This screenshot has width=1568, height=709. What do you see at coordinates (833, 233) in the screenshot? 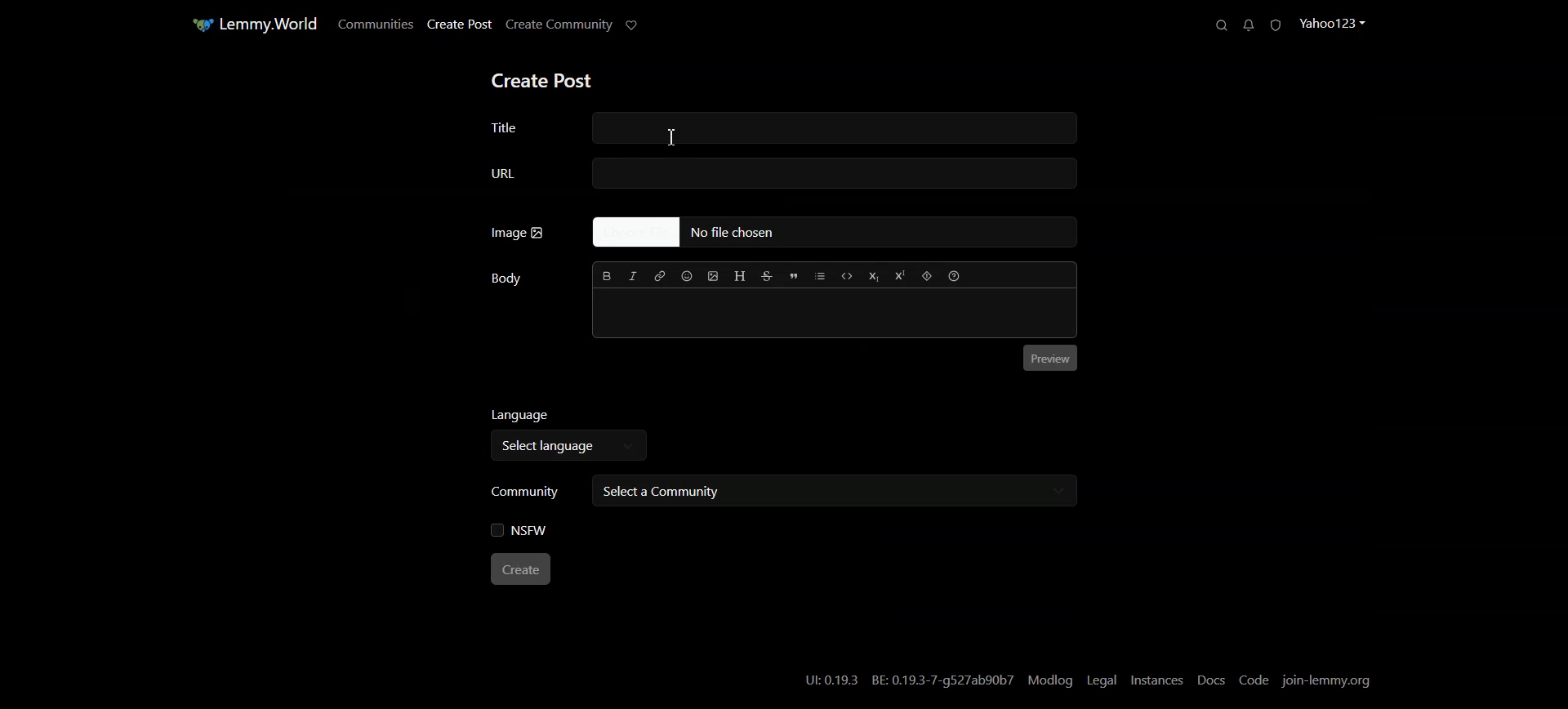
I see `No file Chosen` at bounding box center [833, 233].